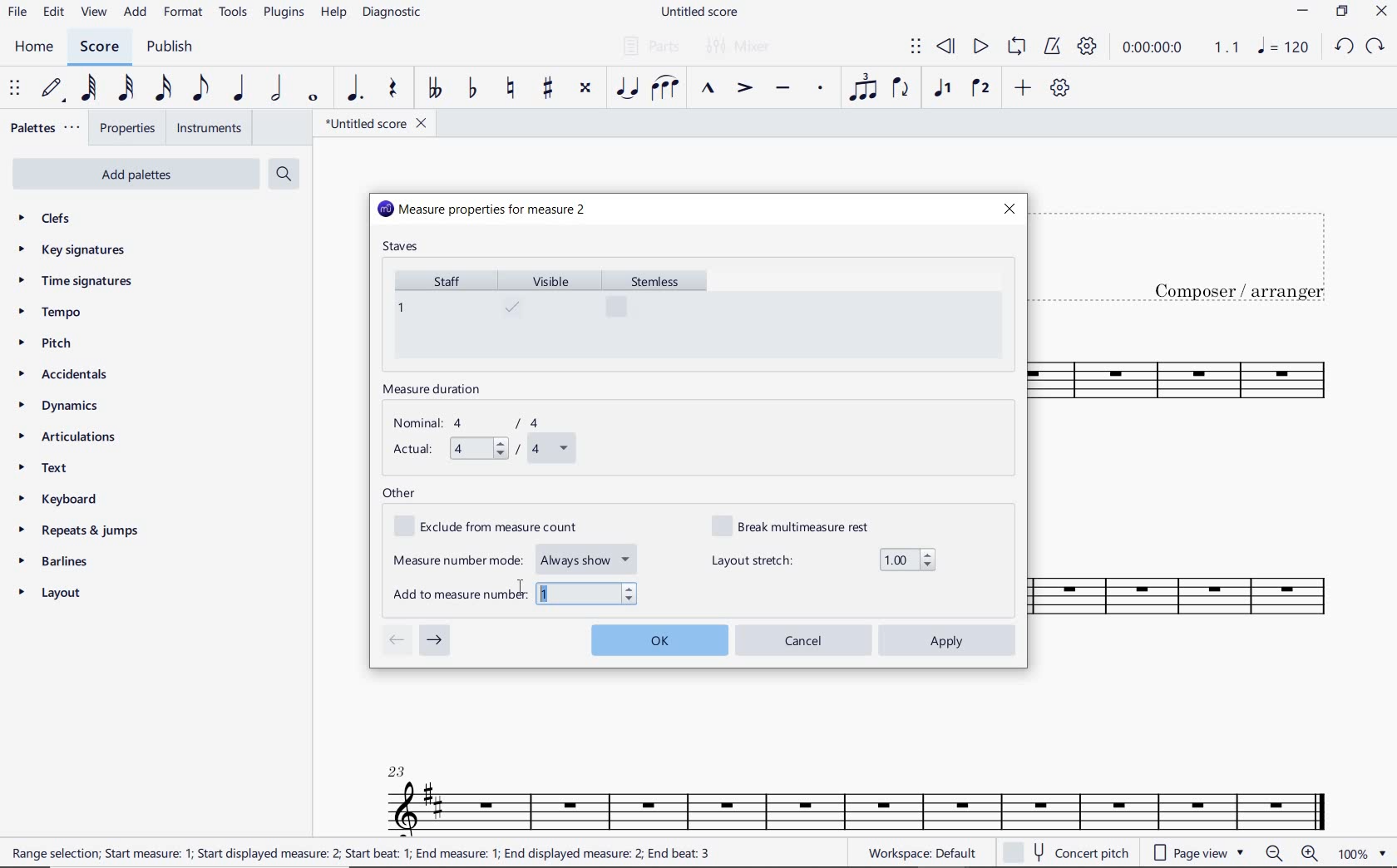  Describe the element at coordinates (1343, 47) in the screenshot. I see `UNDO` at that location.